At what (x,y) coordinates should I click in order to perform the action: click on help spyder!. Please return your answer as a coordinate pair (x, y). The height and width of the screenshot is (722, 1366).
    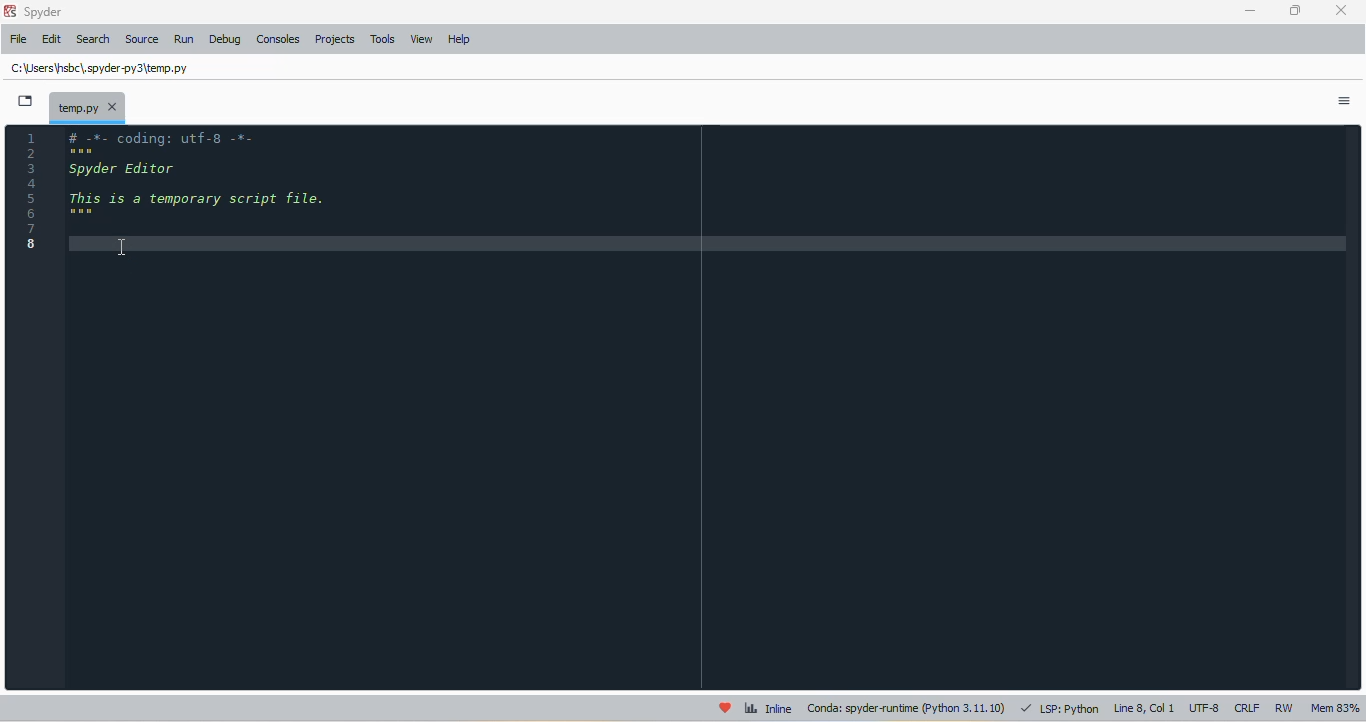
    Looking at the image, I should click on (725, 707).